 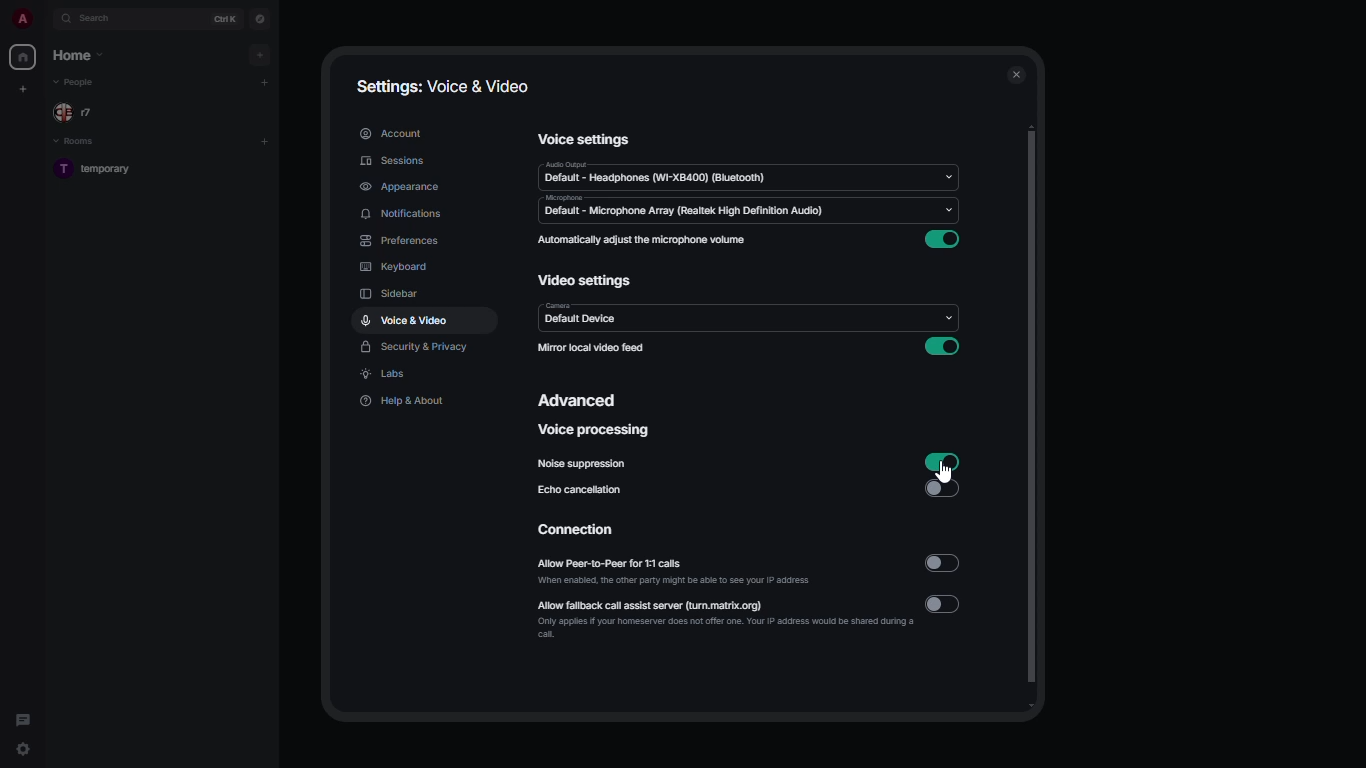 What do you see at coordinates (404, 400) in the screenshot?
I see `help & about` at bounding box center [404, 400].